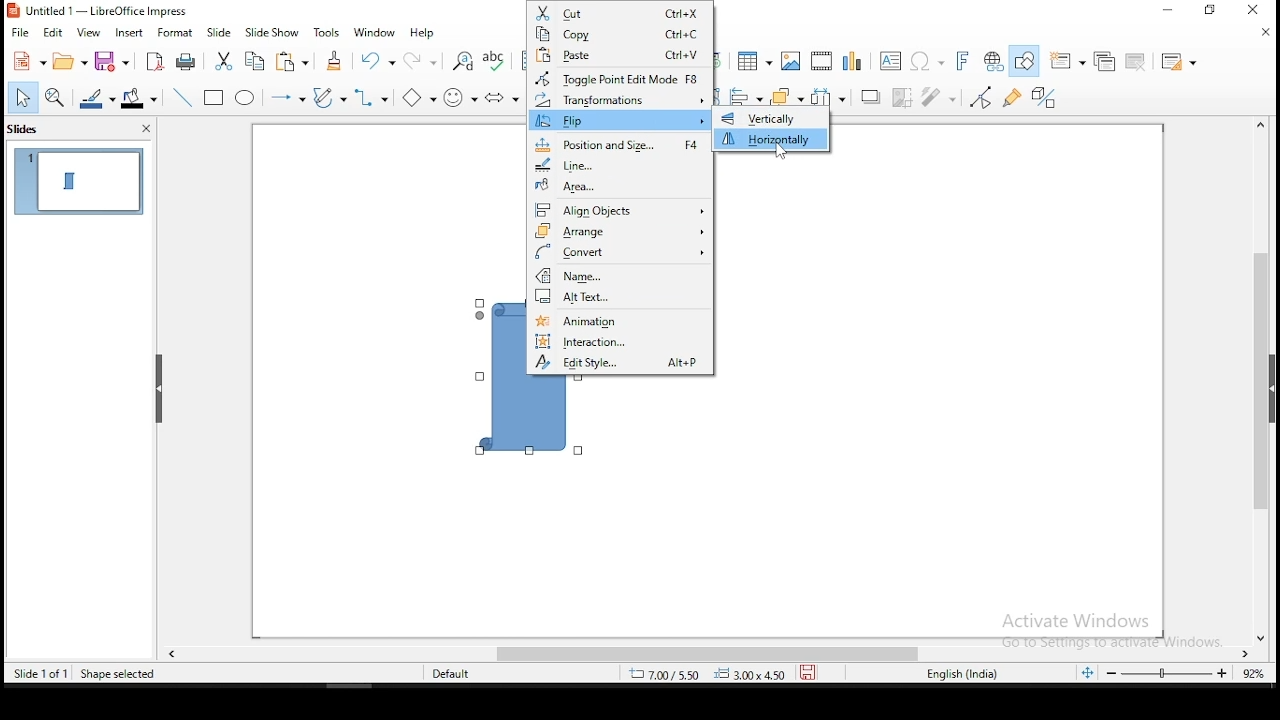 The image size is (1280, 720). What do you see at coordinates (750, 677) in the screenshot?
I see `0.00x0.00` at bounding box center [750, 677].